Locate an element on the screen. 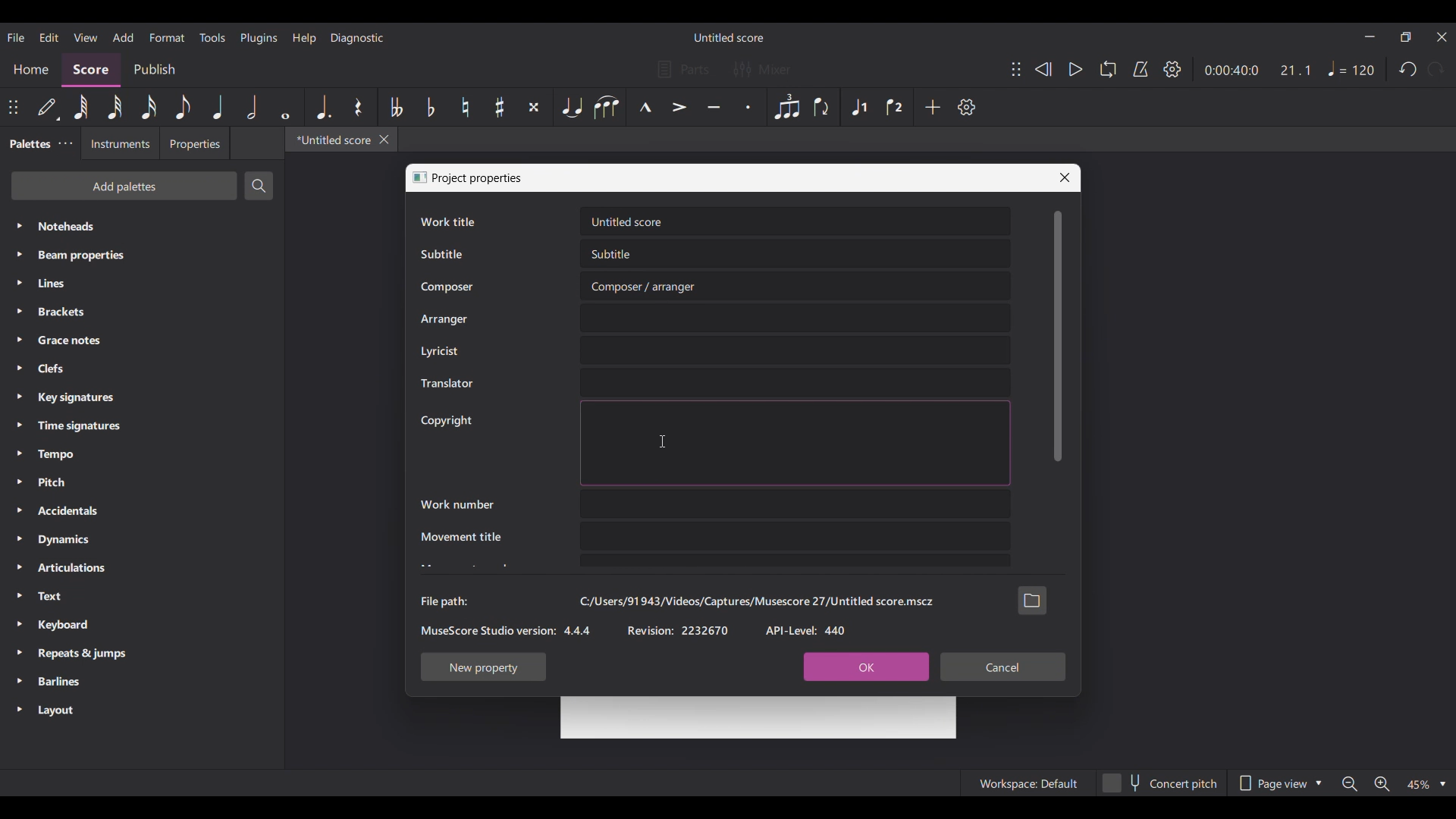 Image resolution: width=1456 pixels, height=819 pixels. Tempo is located at coordinates (142, 454).